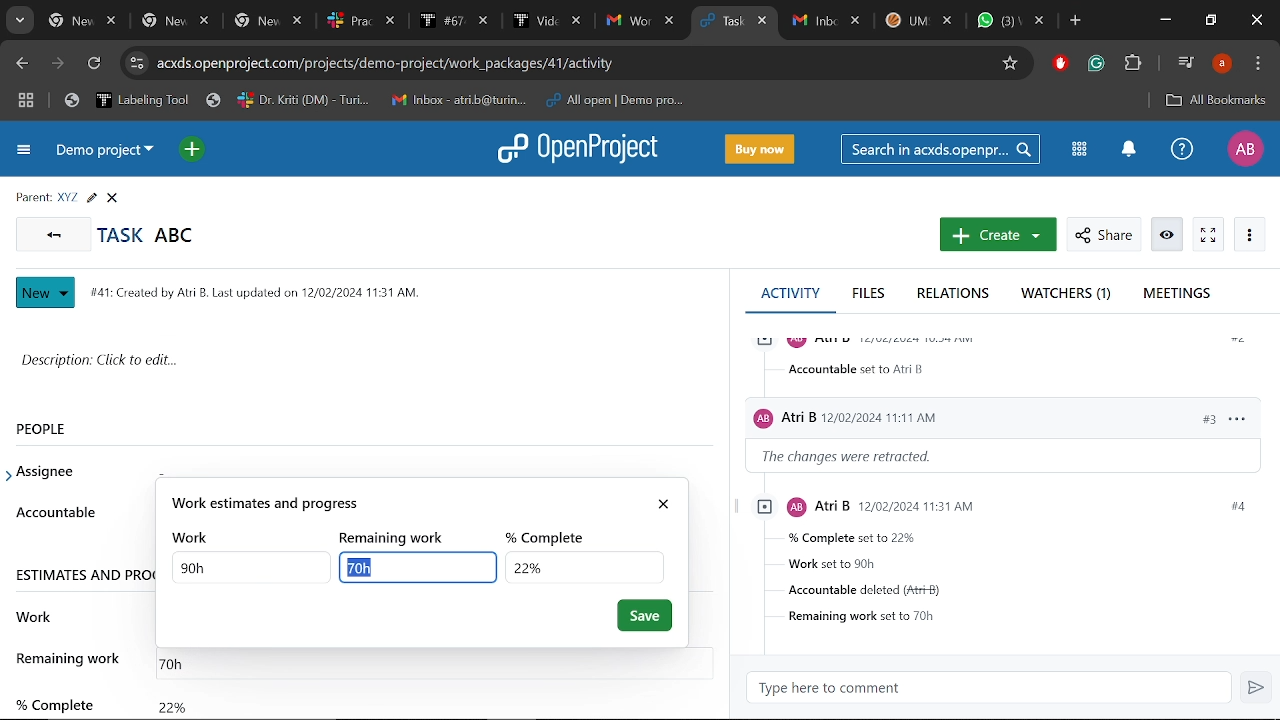 This screenshot has width=1280, height=720. What do you see at coordinates (870, 295) in the screenshot?
I see `Files` at bounding box center [870, 295].